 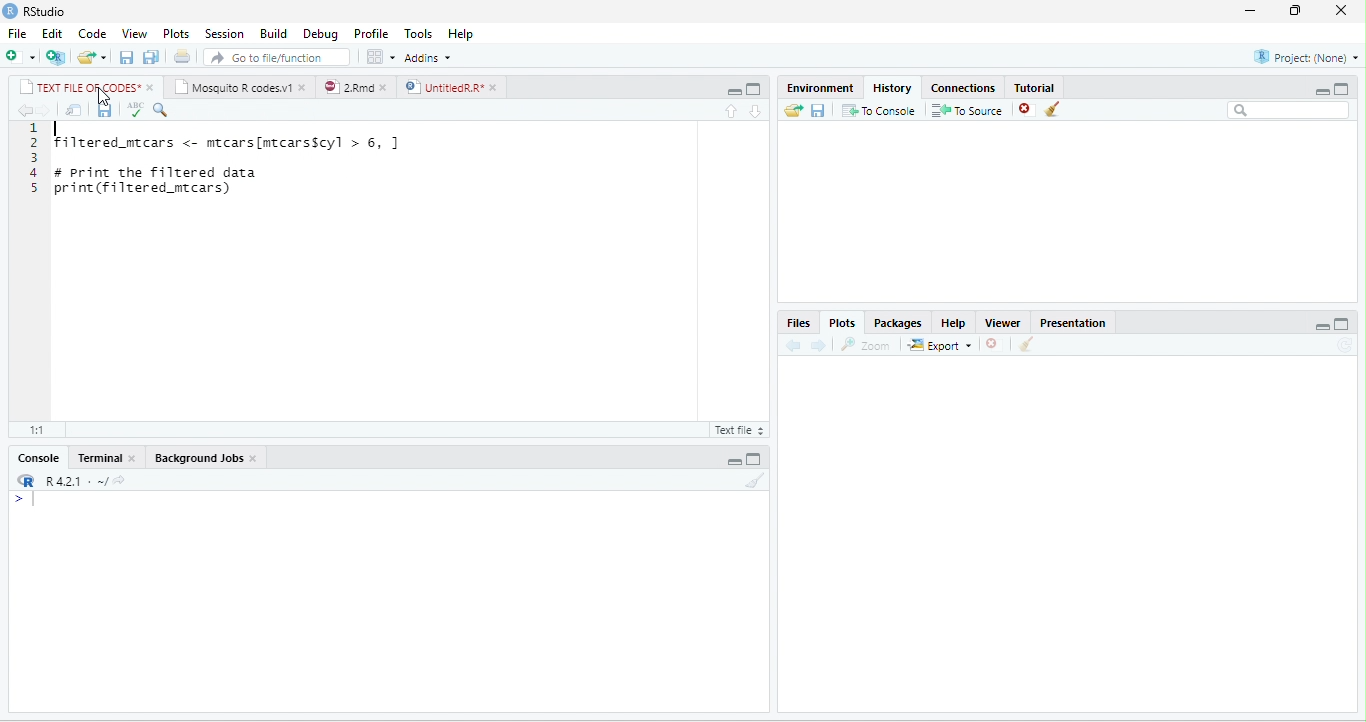 What do you see at coordinates (371, 34) in the screenshot?
I see `Profile` at bounding box center [371, 34].